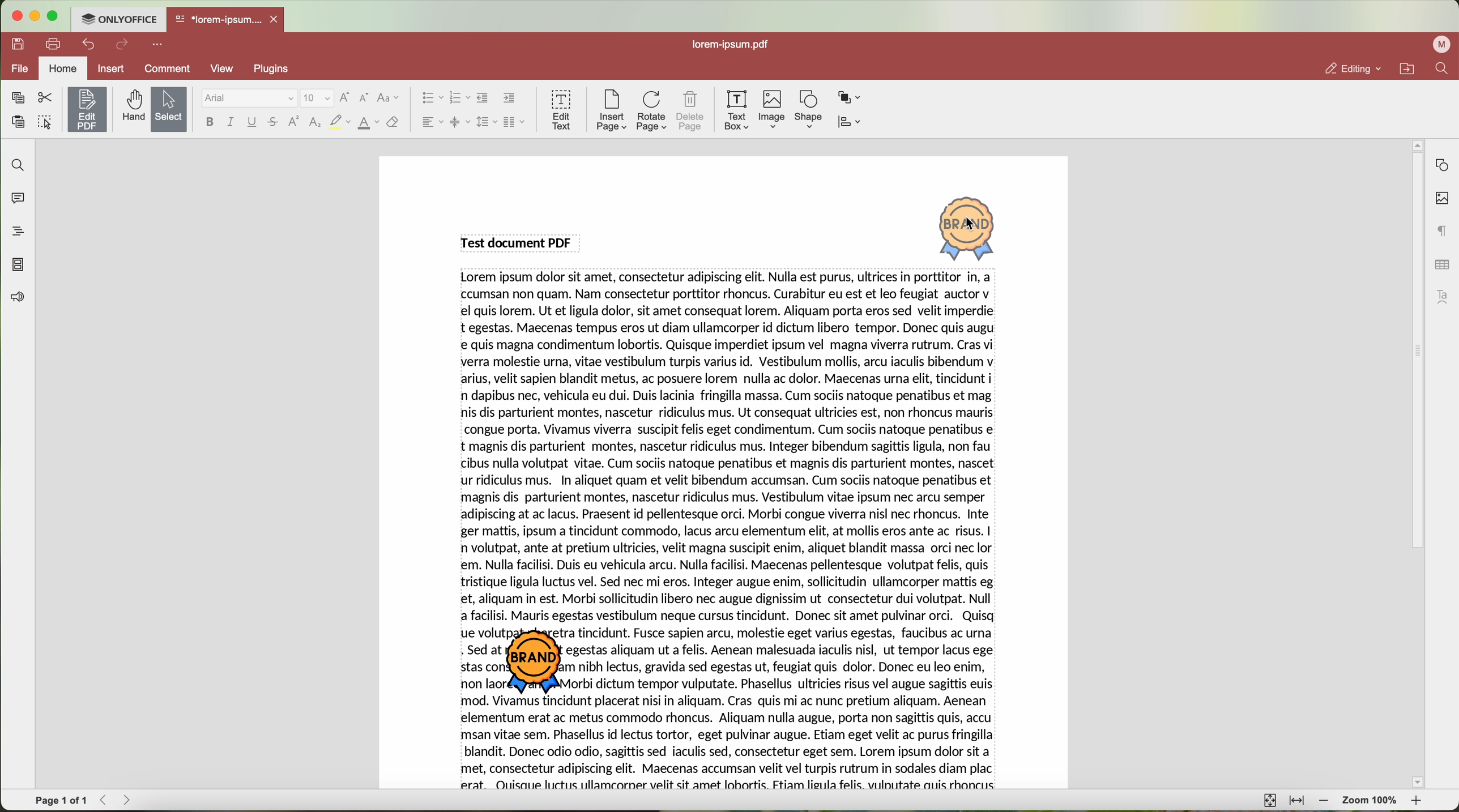  What do you see at coordinates (15, 196) in the screenshot?
I see `comments` at bounding box center [15, 196].